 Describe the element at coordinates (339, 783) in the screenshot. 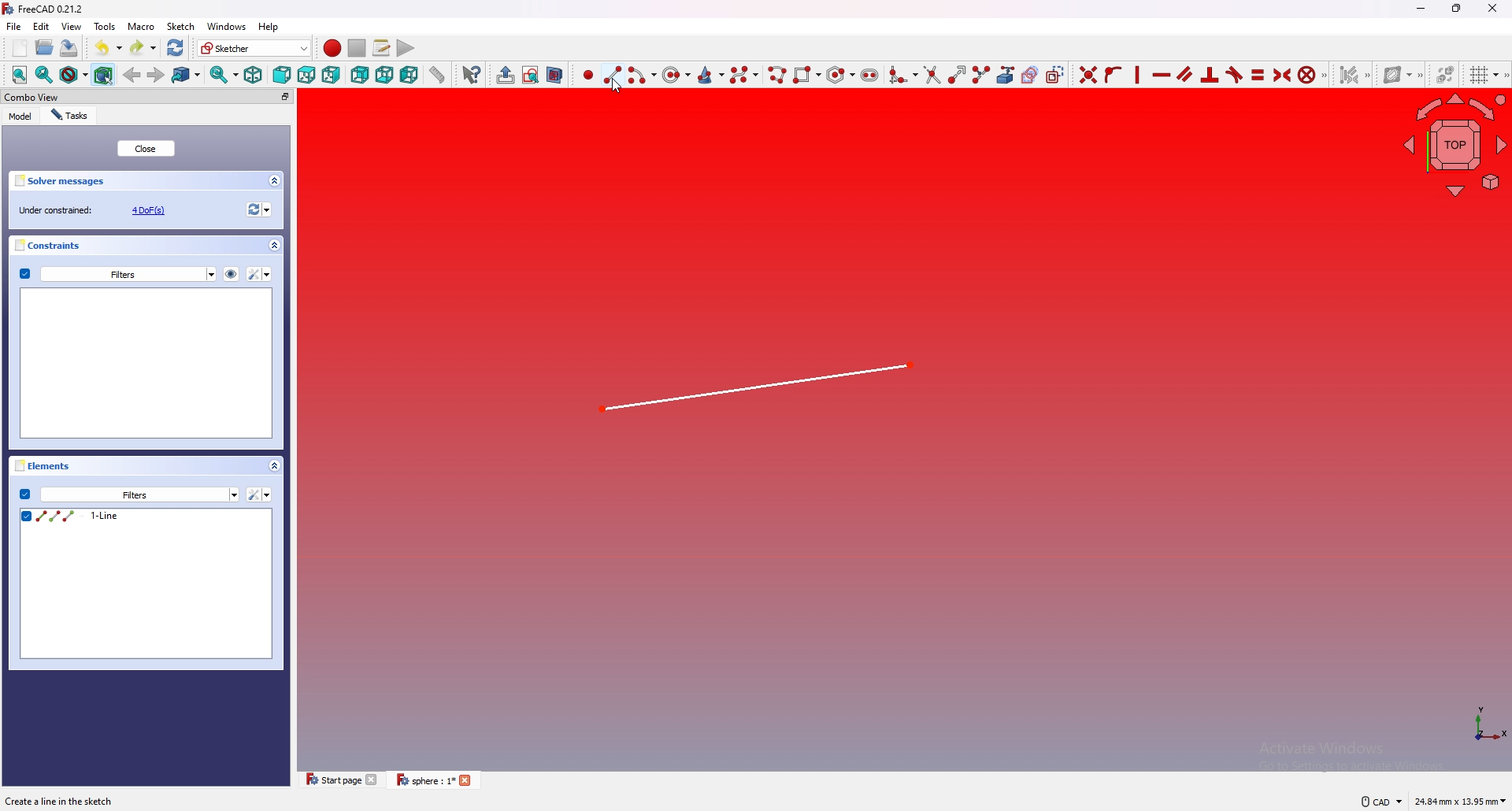

I see `Start page` at that location.